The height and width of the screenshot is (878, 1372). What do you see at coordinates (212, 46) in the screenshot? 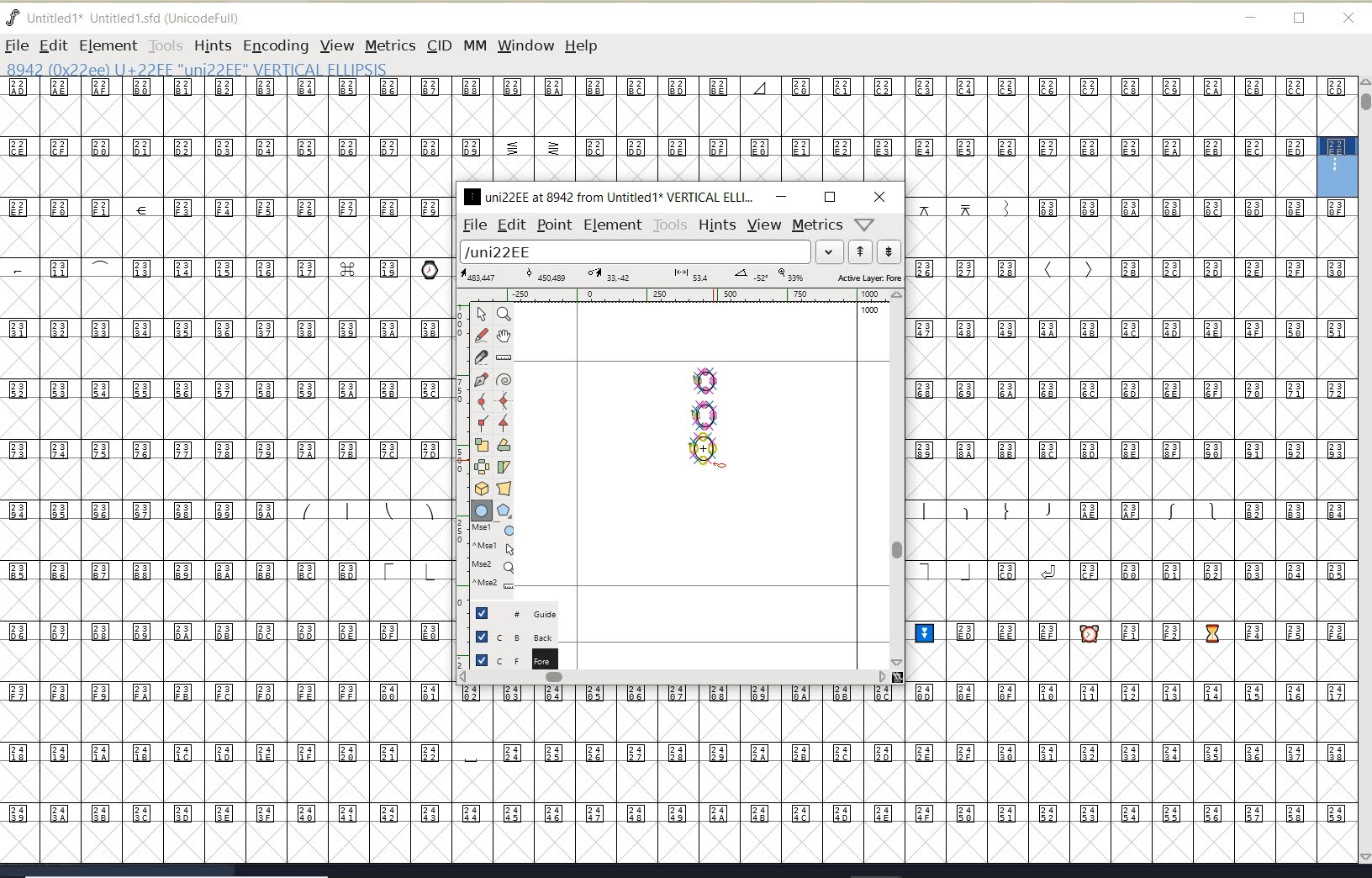
I see `HINTS` at bounding box center [212, 46].